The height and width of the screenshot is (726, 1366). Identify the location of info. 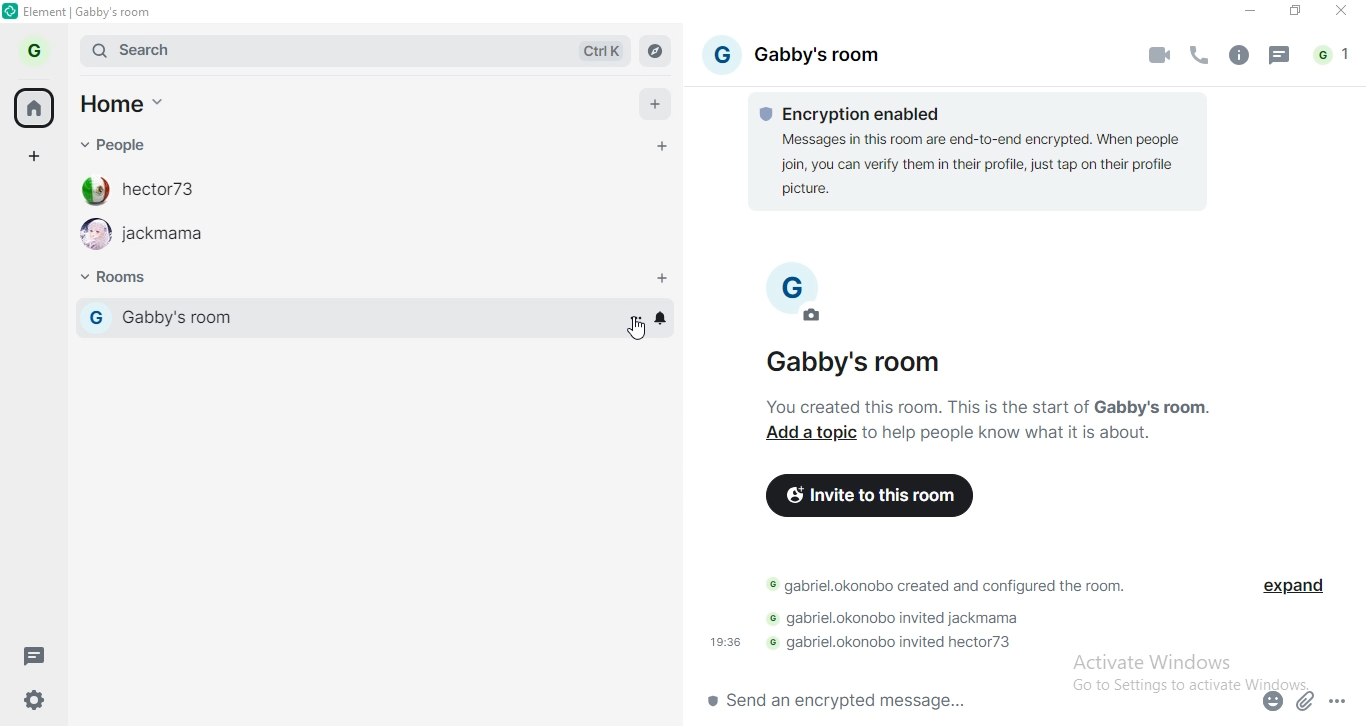
(1239, 56).